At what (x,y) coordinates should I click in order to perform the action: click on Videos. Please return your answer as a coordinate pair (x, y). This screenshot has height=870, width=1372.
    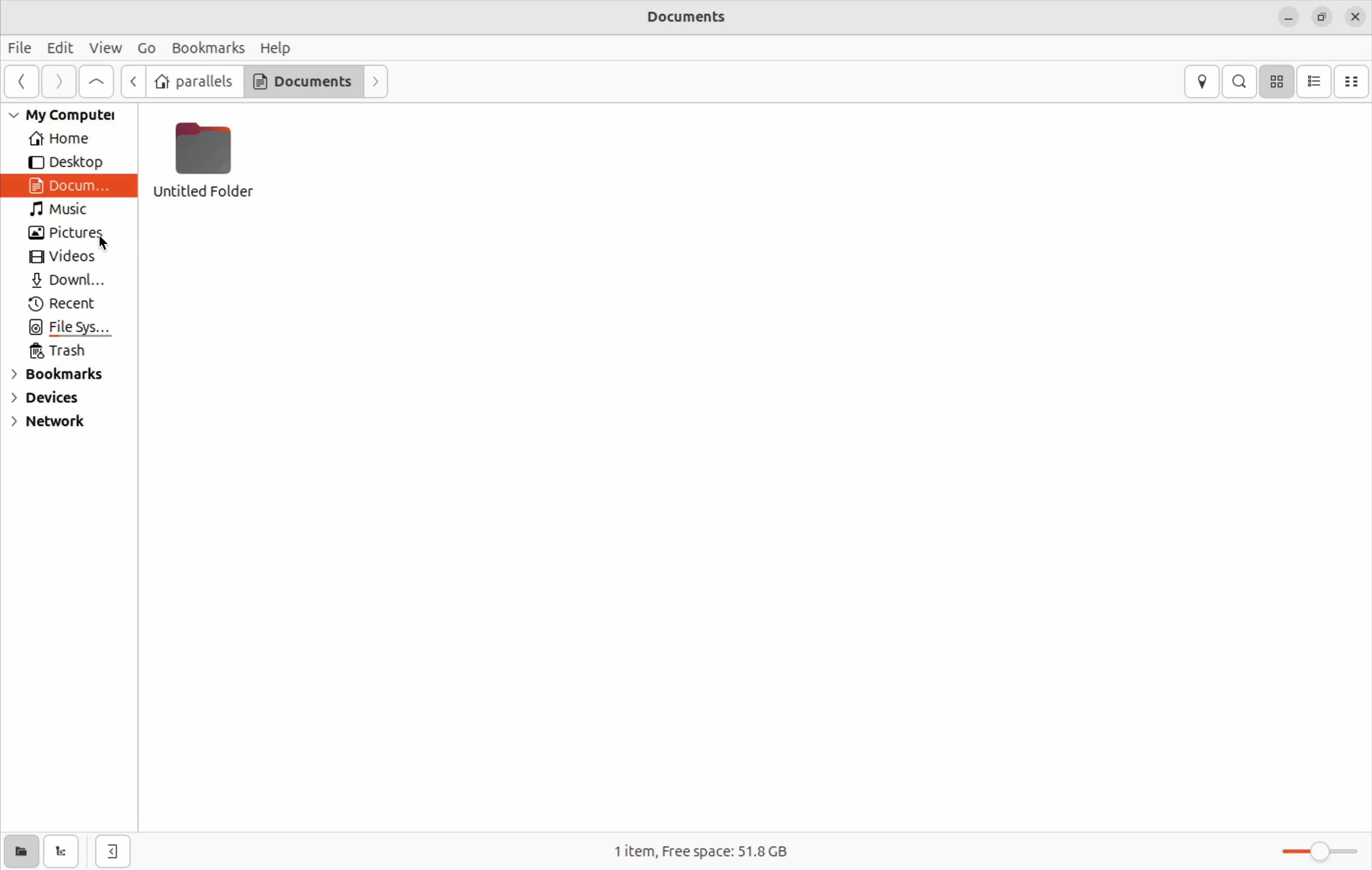
    Looking at the image, I should click on (66, 258).